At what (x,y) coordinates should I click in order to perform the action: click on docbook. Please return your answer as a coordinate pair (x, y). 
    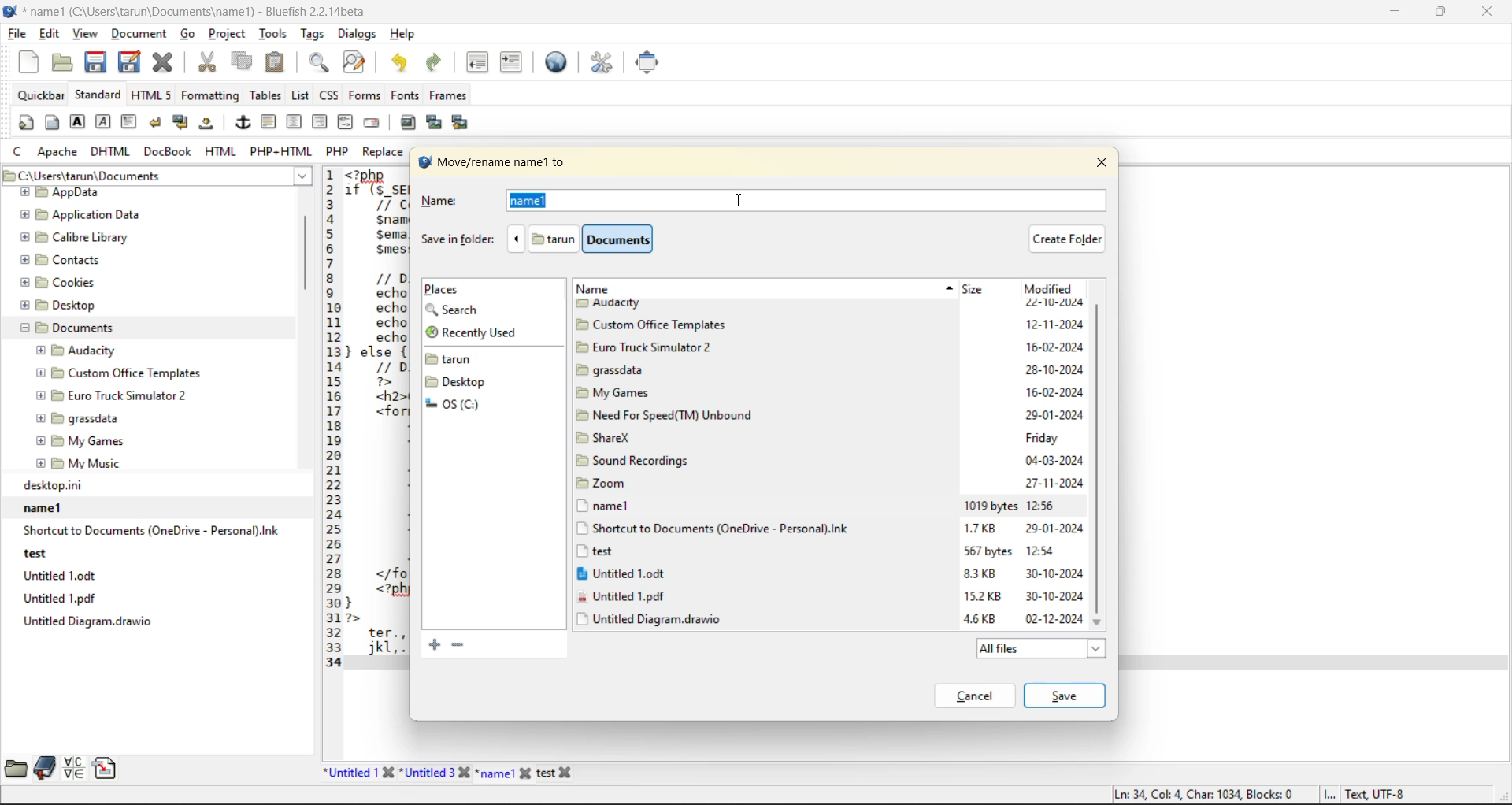
    Looking at the image, I should click on (168, 152).